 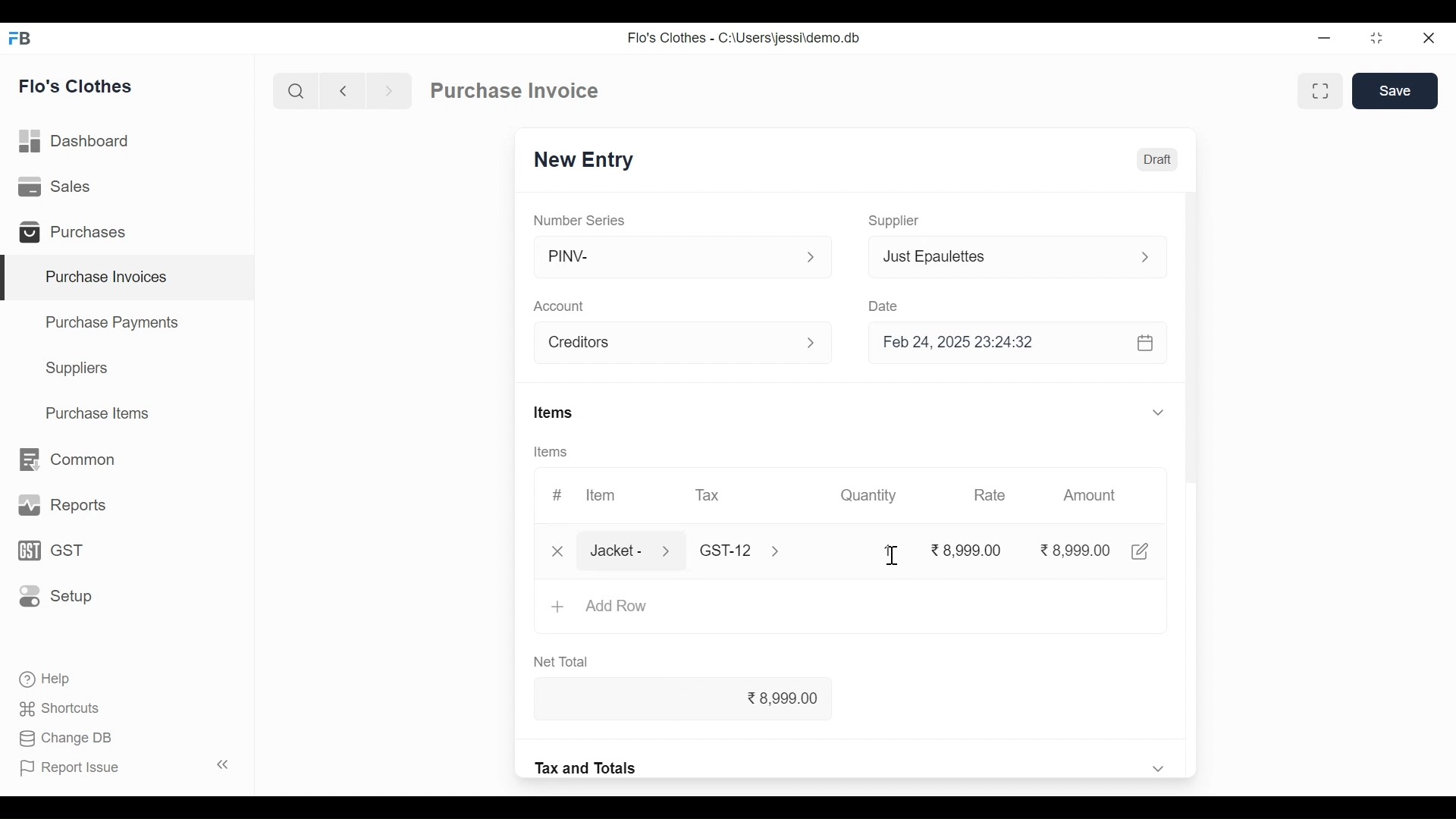 I want to click on Suppliers, so click(x=80, y=370).